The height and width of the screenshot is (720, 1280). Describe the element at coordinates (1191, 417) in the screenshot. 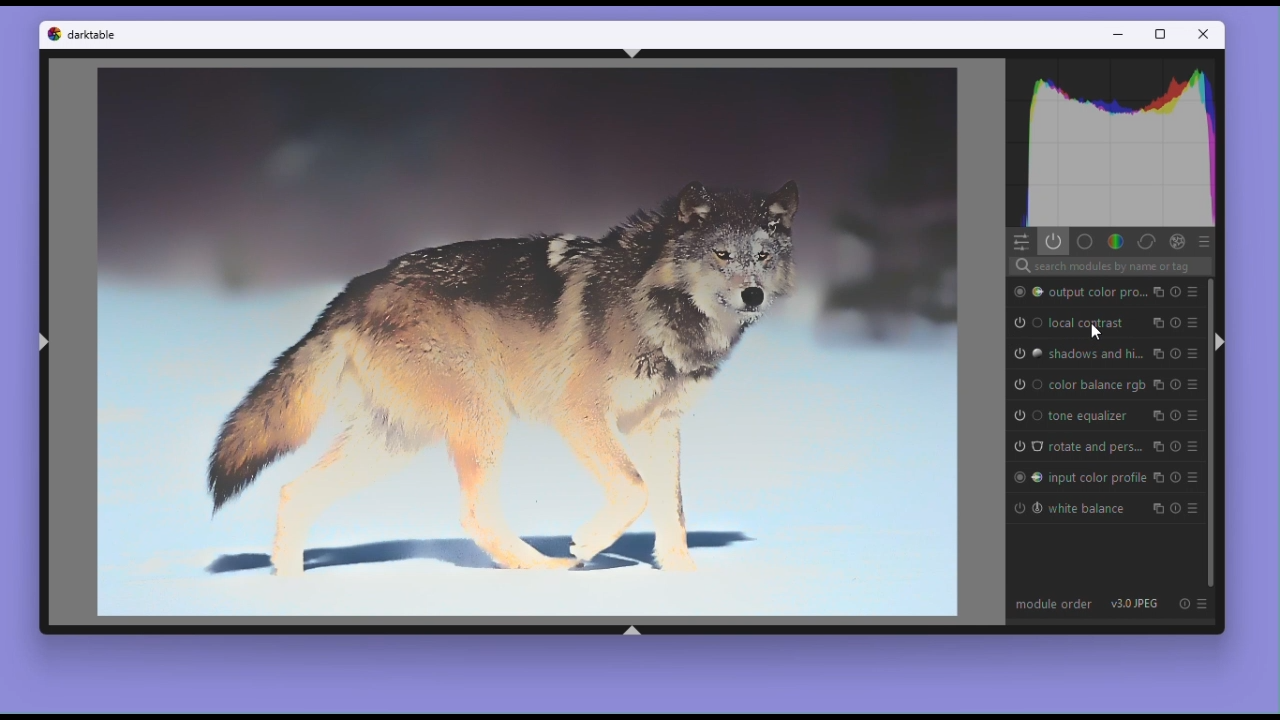

I see `presets` at that location.